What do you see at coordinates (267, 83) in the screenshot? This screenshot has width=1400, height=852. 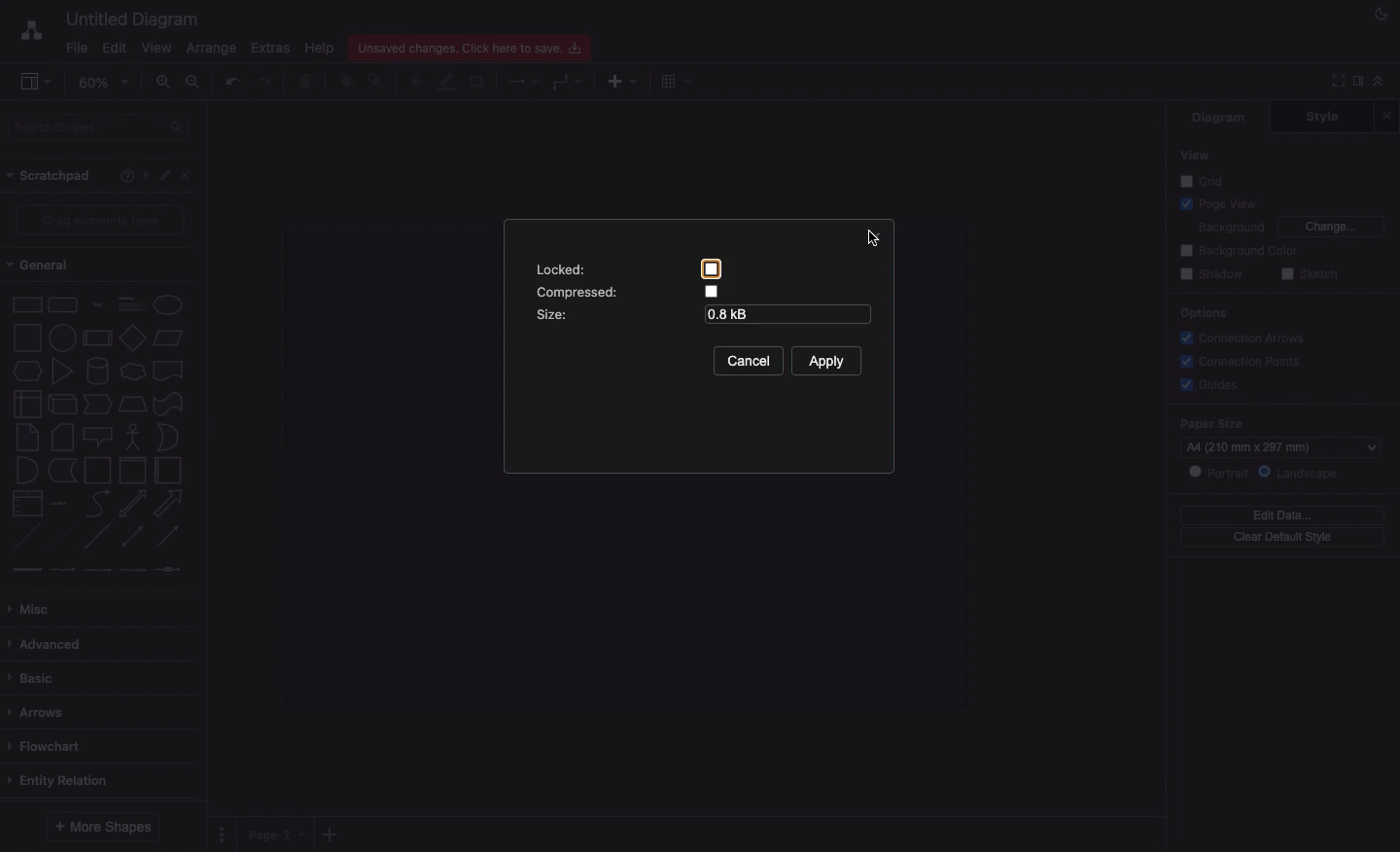 I see `Redo` at bounding box center [267, 83].